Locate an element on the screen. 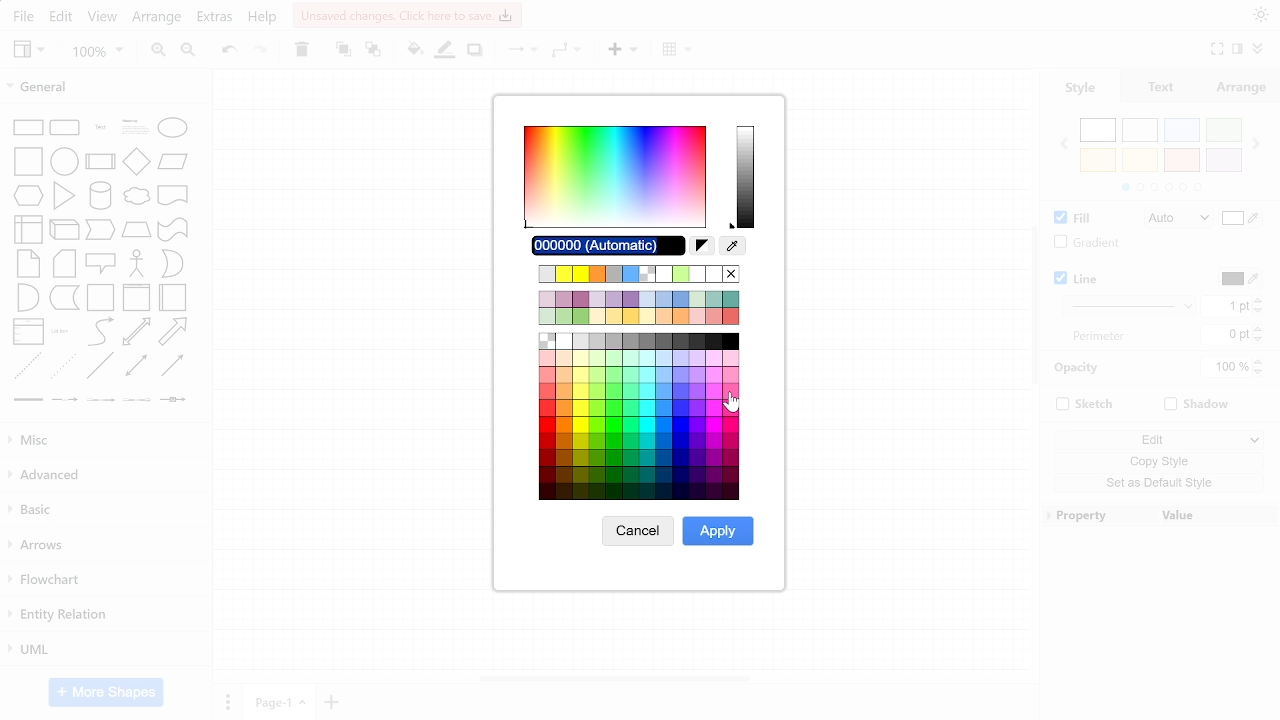 This screenshot has height=720, width=1280. Other colors is located at coordinates (640, 307).